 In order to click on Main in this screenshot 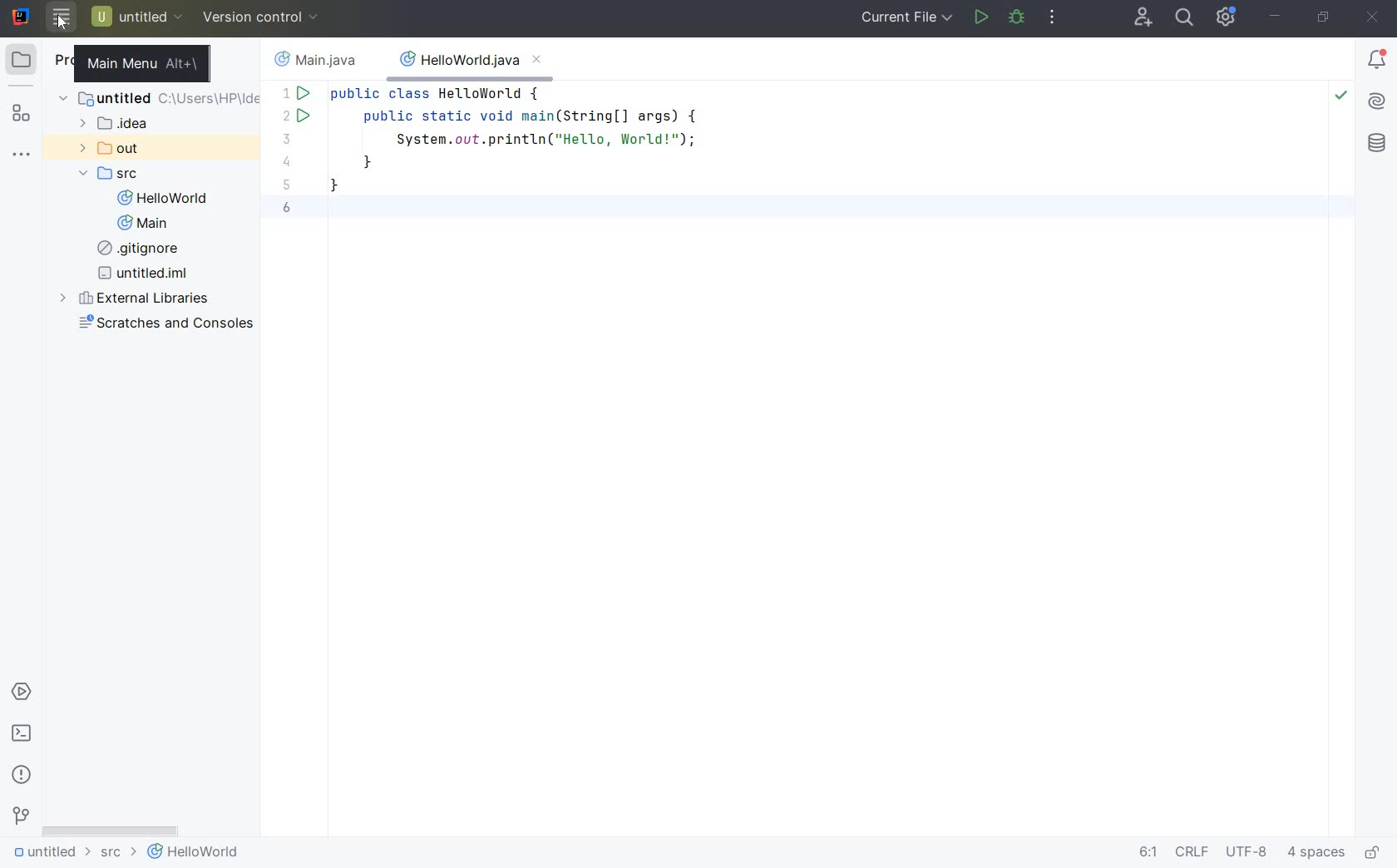, I will do `click(143, 225)`.